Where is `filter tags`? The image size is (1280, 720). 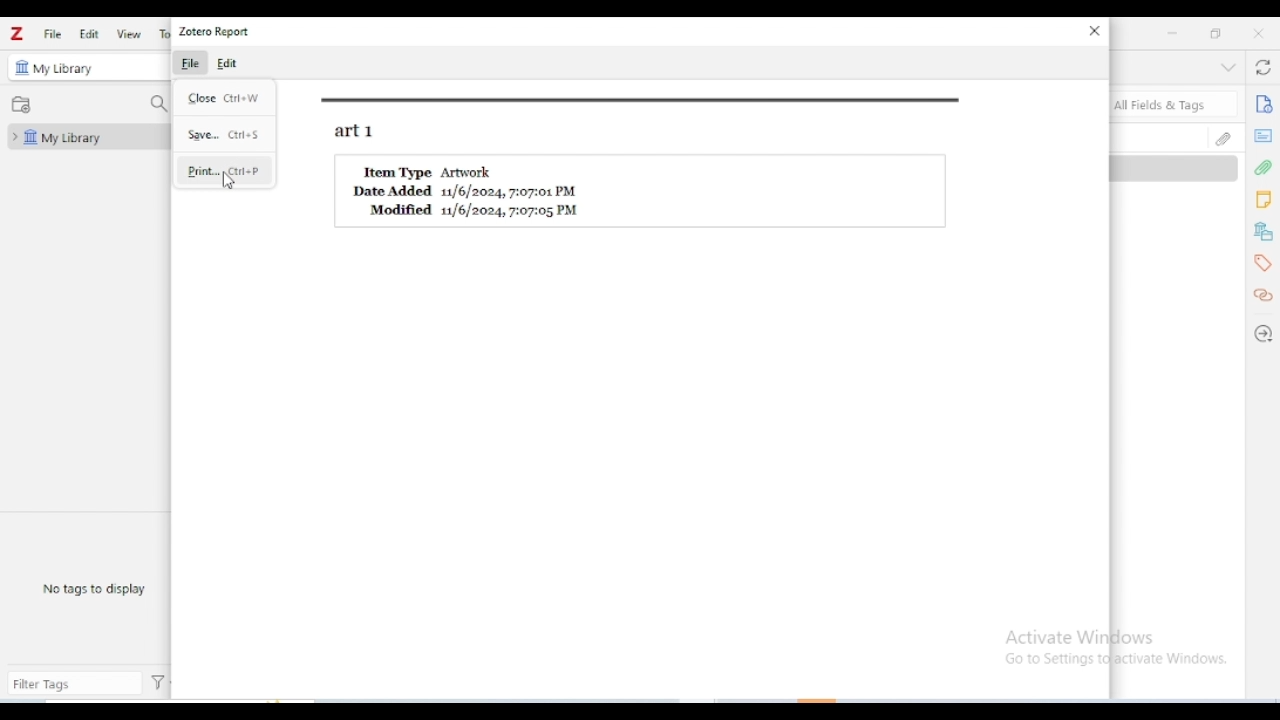
filter tags is located at coordinates (74, 685).